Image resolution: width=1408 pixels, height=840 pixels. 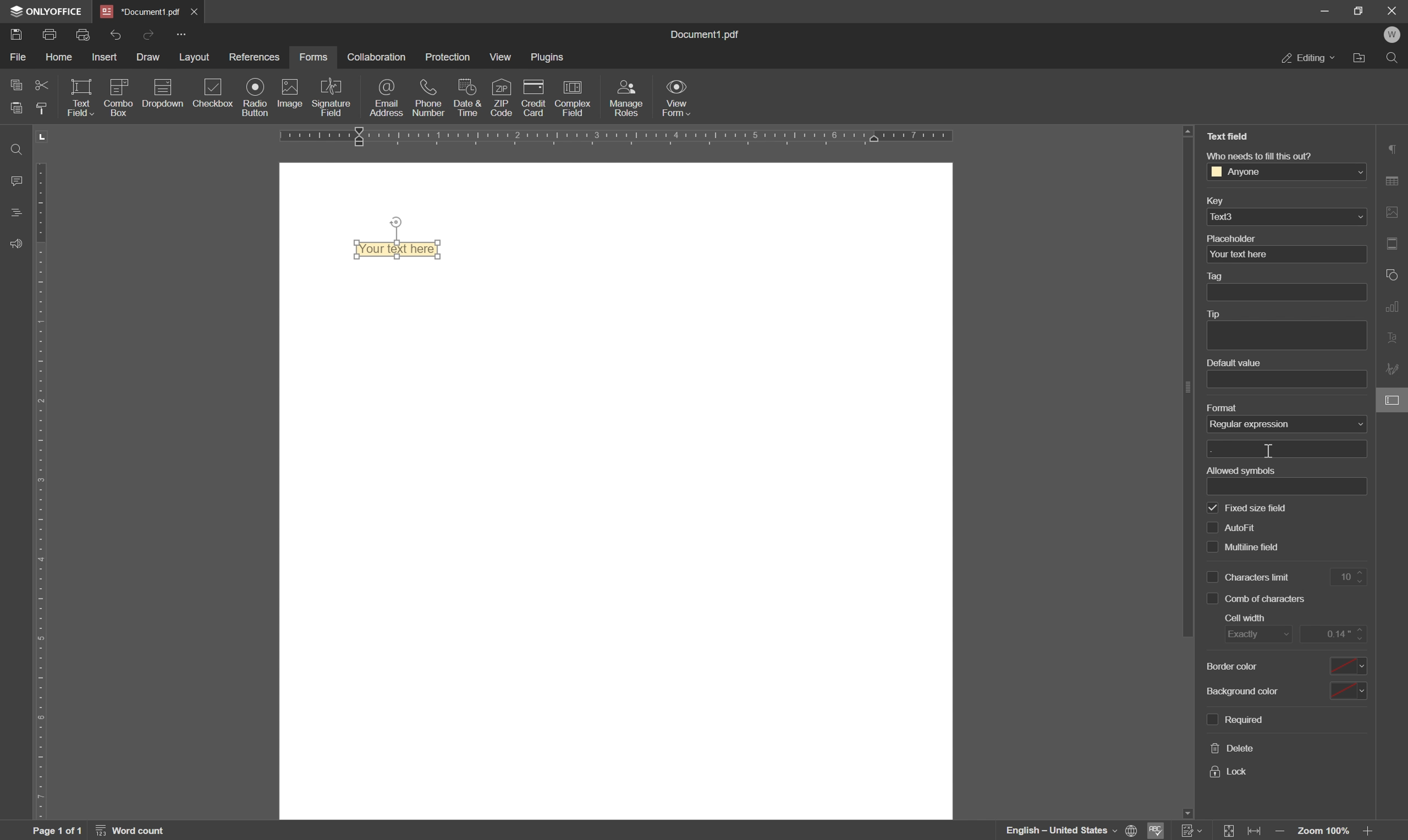 I want to click on shape settings, so click(x=1393, y=274).